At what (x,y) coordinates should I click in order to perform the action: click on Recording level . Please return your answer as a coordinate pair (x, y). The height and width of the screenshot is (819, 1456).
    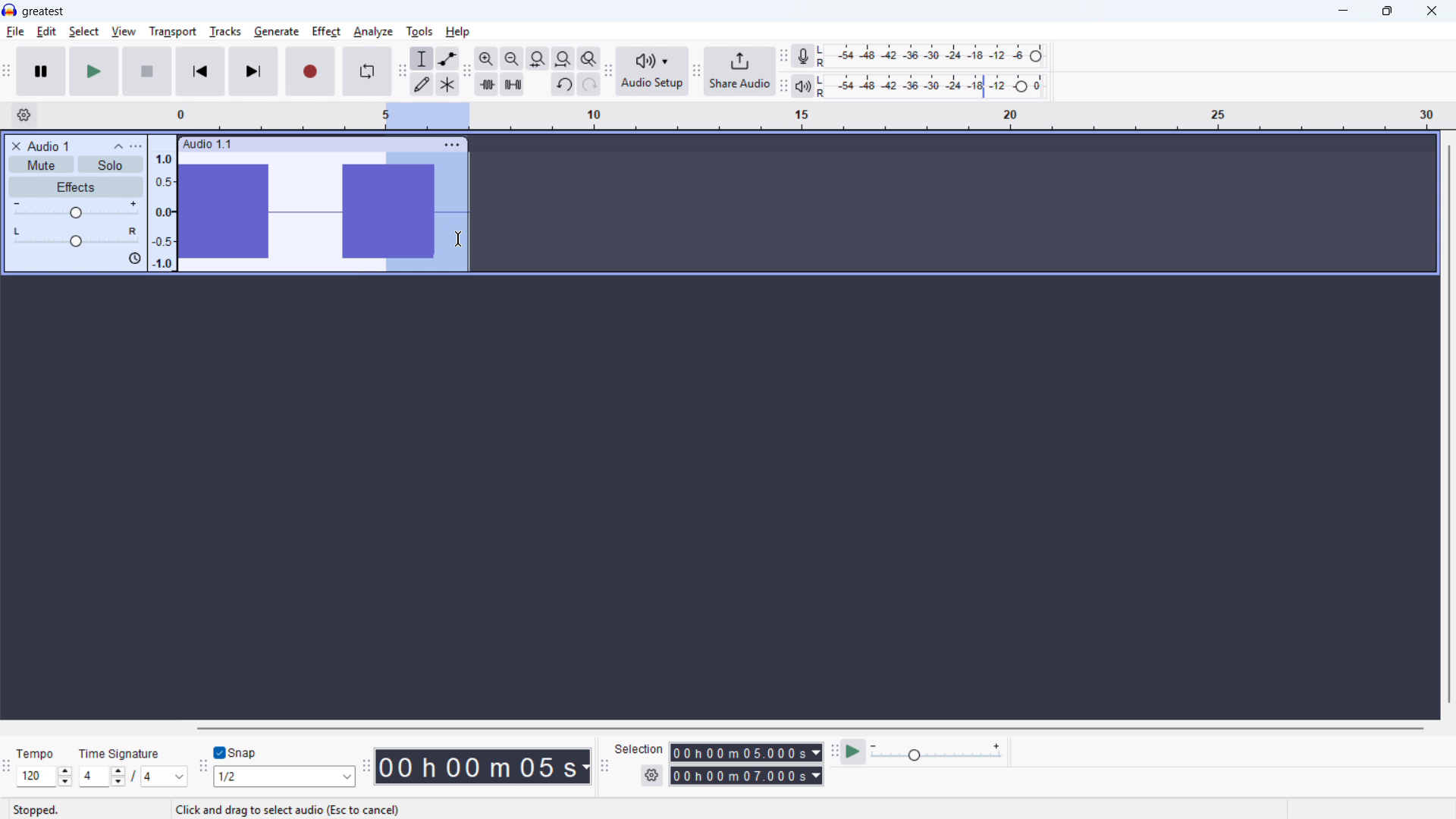
    Looking at the image, I should click on (935, 56).